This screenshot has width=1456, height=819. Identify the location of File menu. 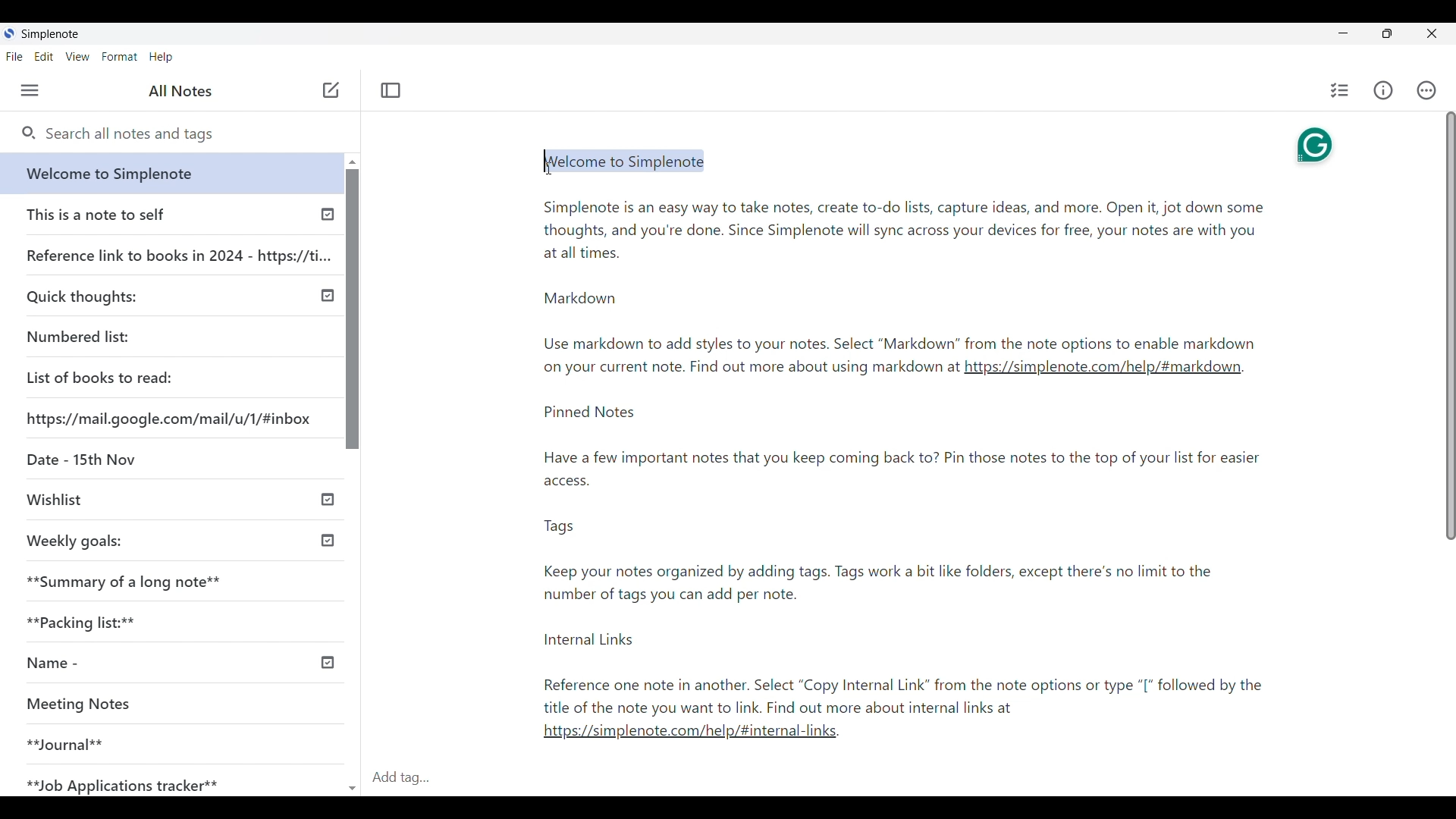
(15, 56).